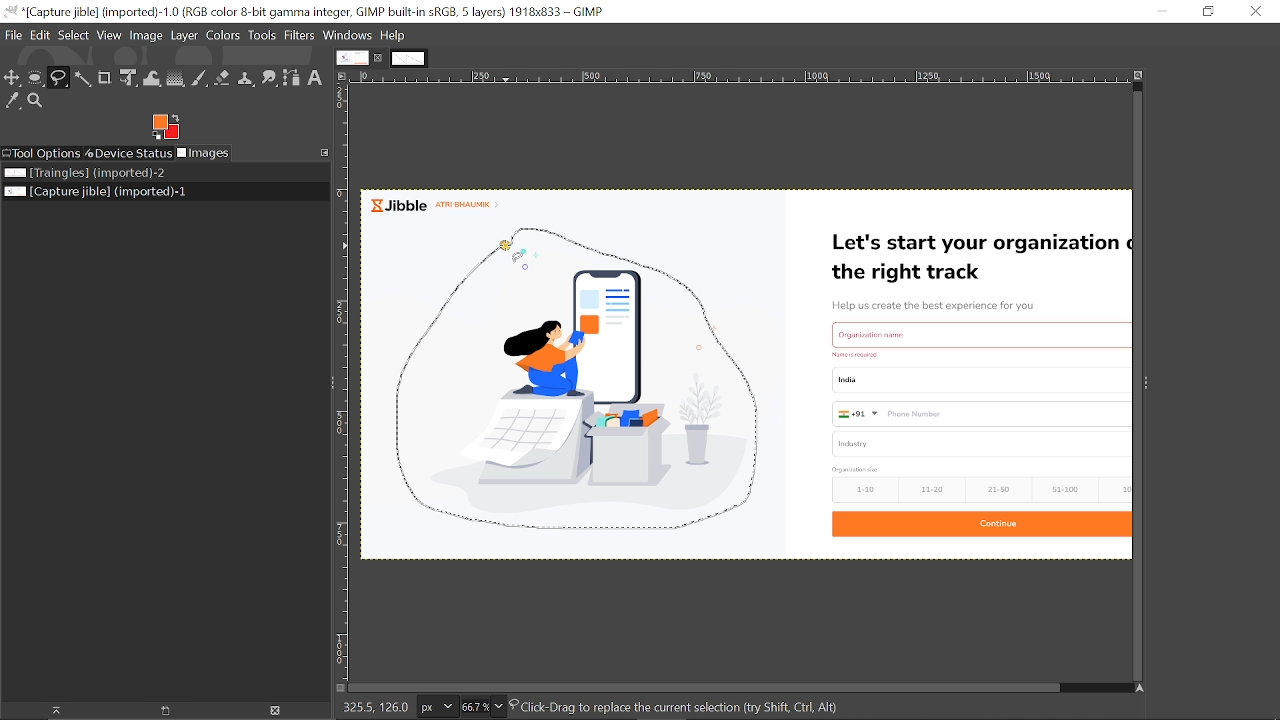  I want to click on Layer, so click(184, 37).